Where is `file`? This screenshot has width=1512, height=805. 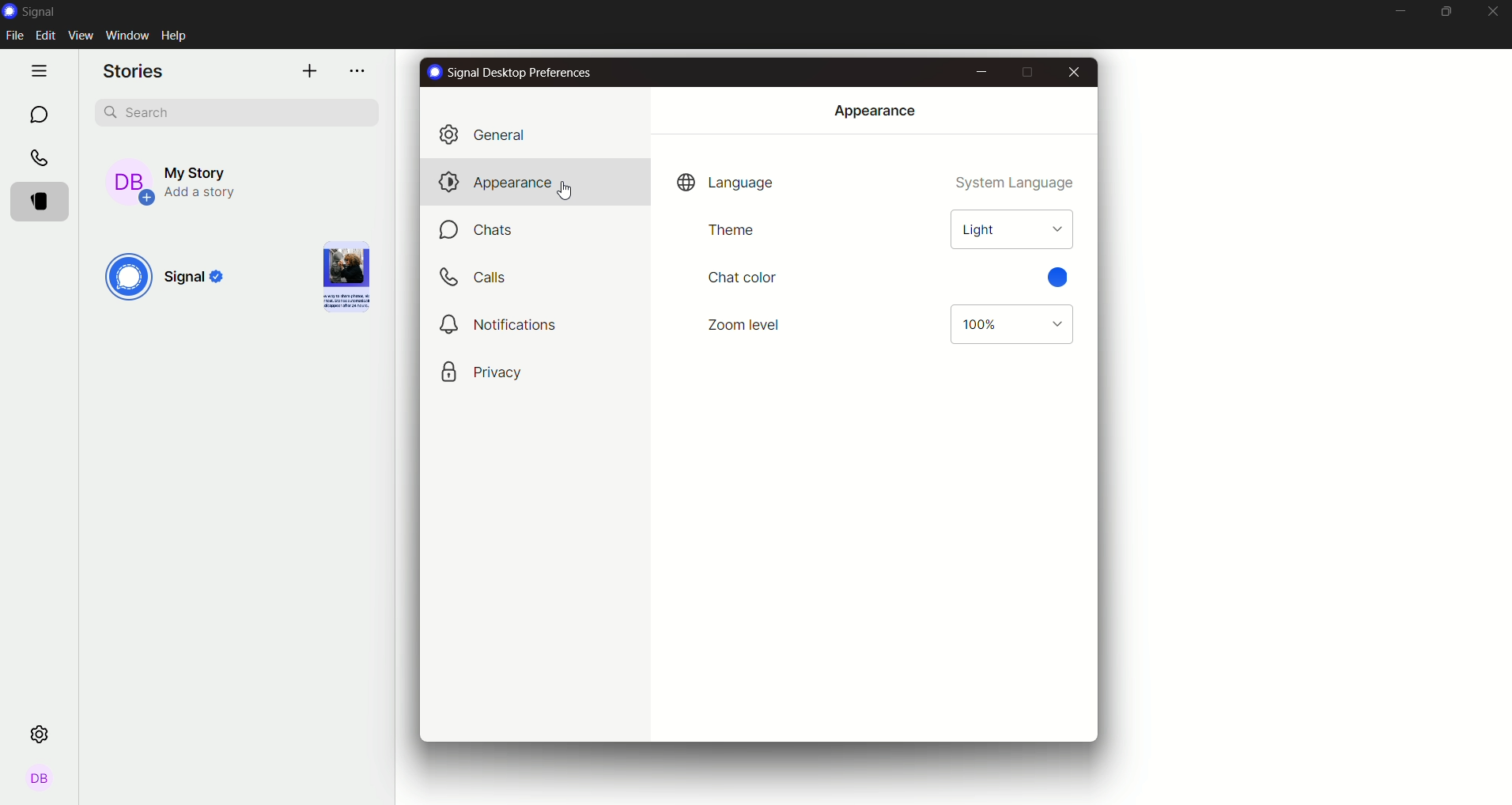 file is located at coordinates (17, 36).